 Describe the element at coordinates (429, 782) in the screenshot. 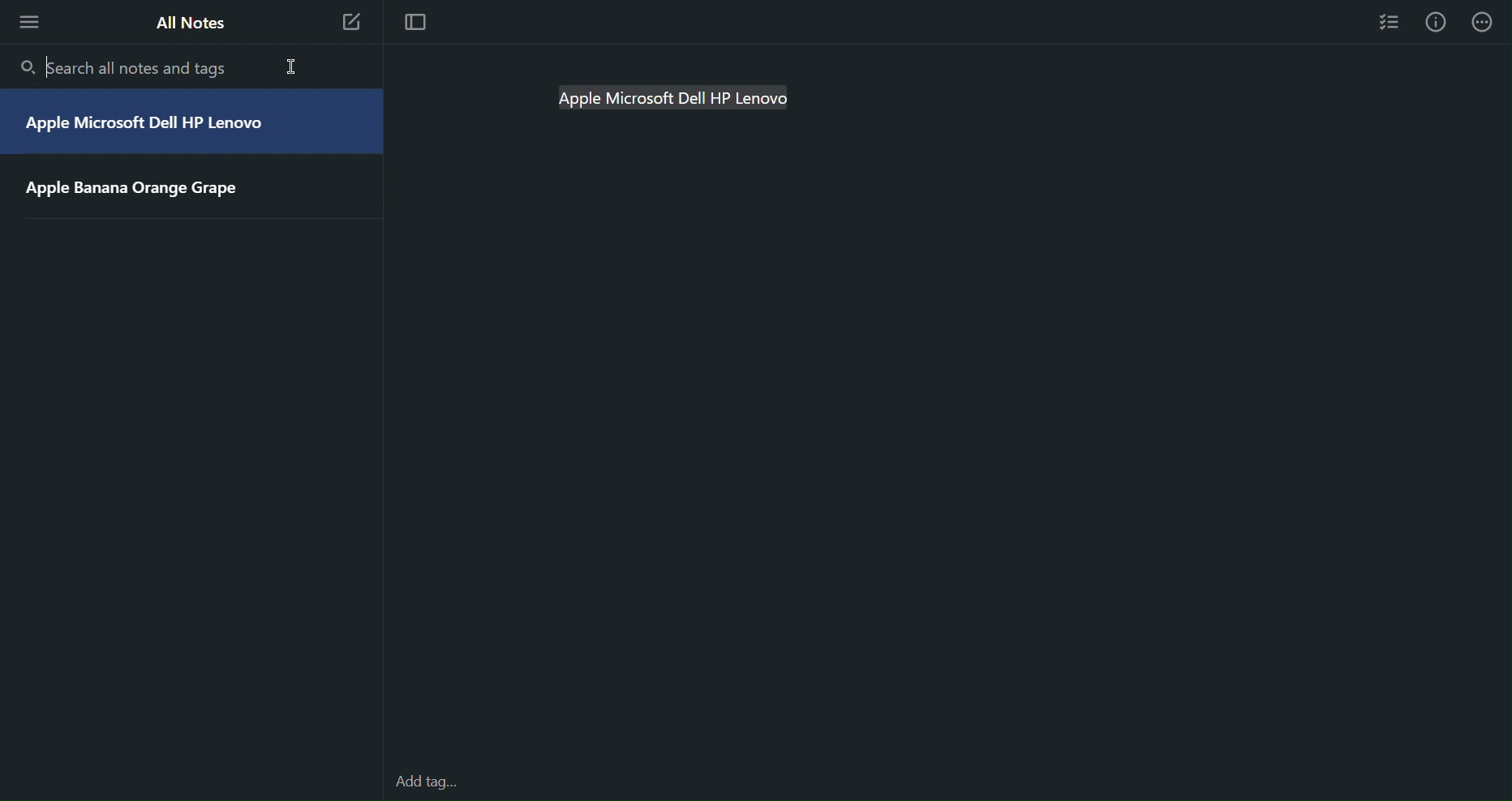

I see `Add tags` at that location.